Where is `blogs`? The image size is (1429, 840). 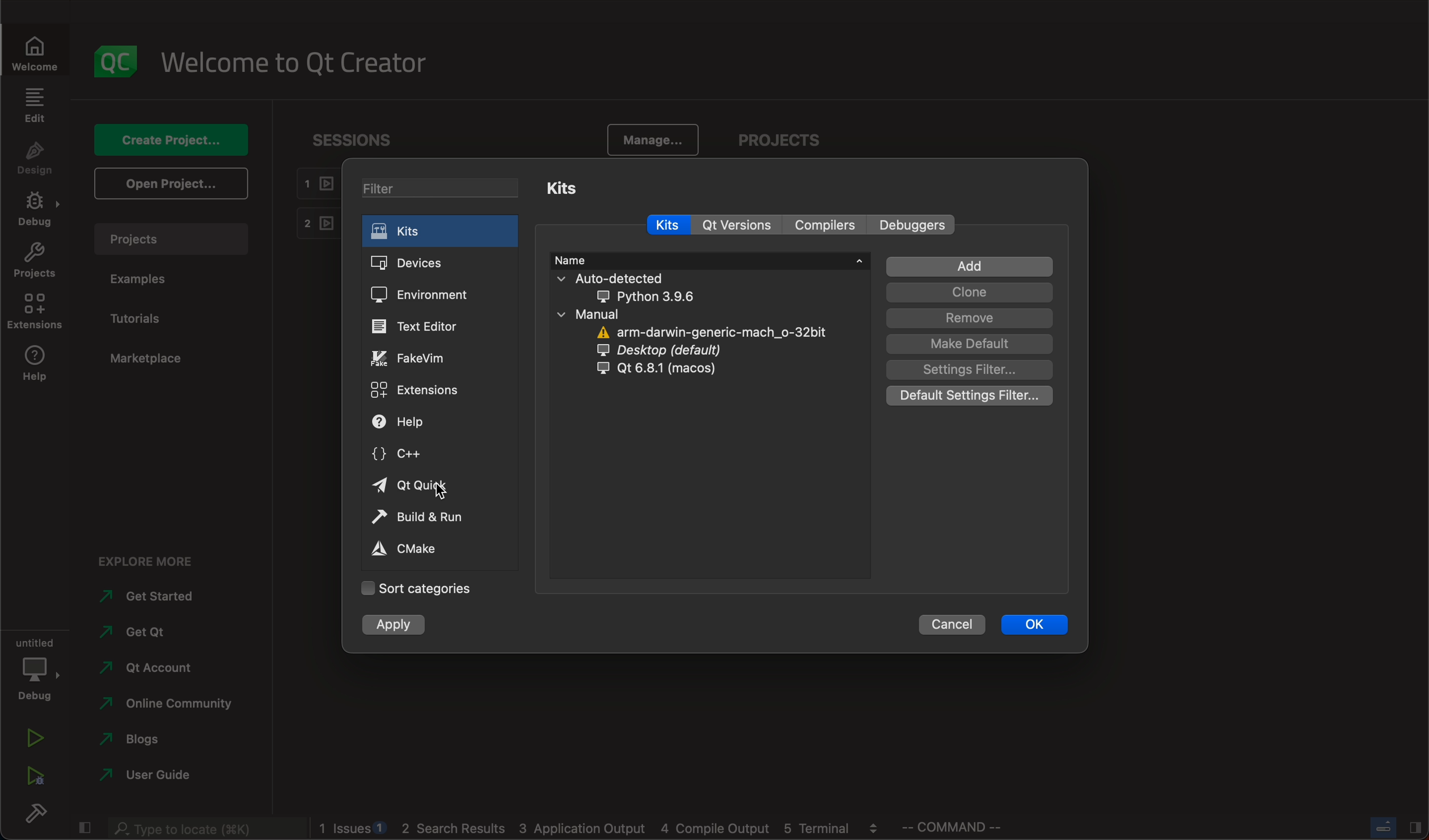 blogs is located at coordinates (138, 740).